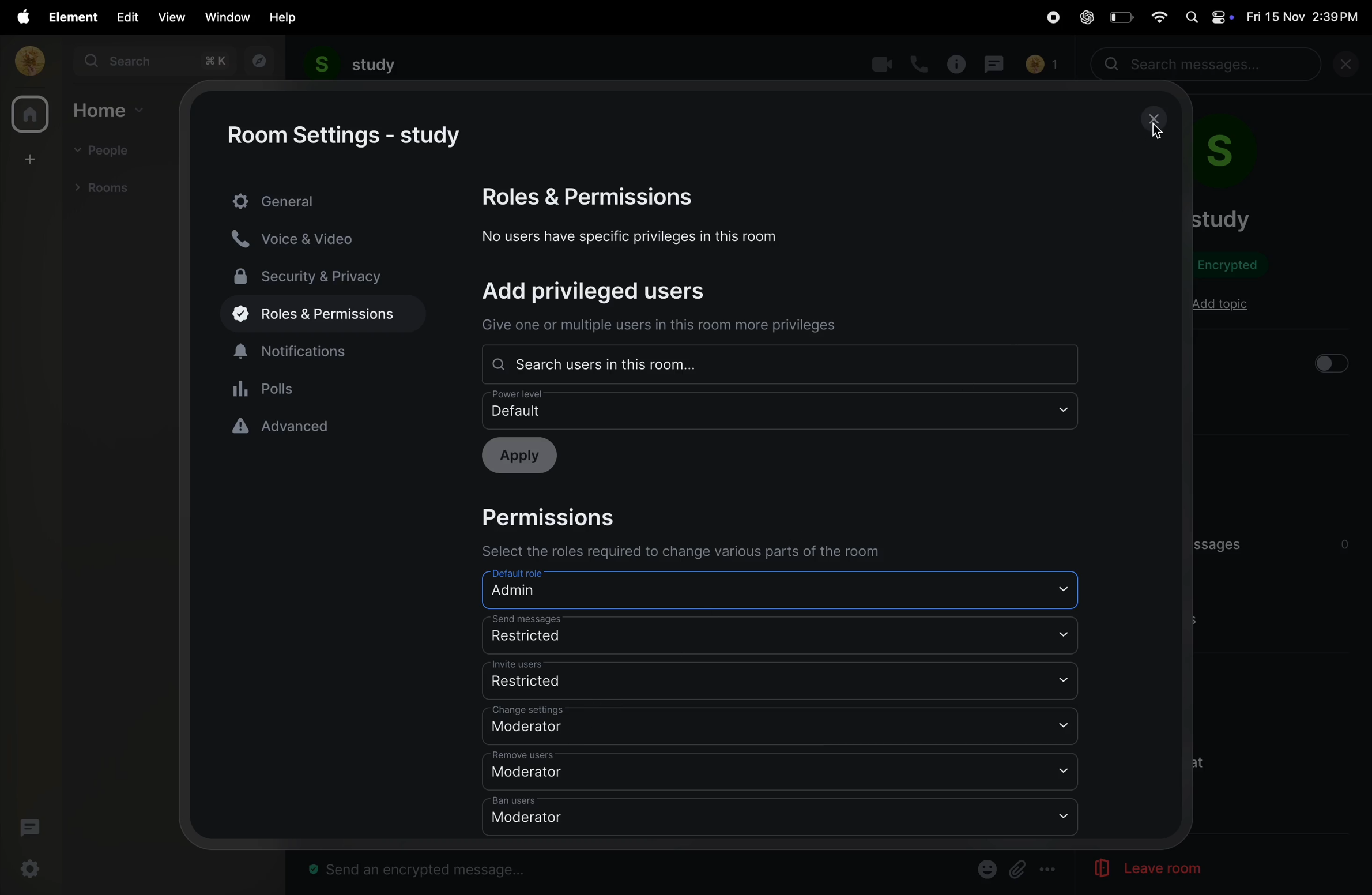 The image size is (1372, 895). I want to click on room name , so click(1222, 219).